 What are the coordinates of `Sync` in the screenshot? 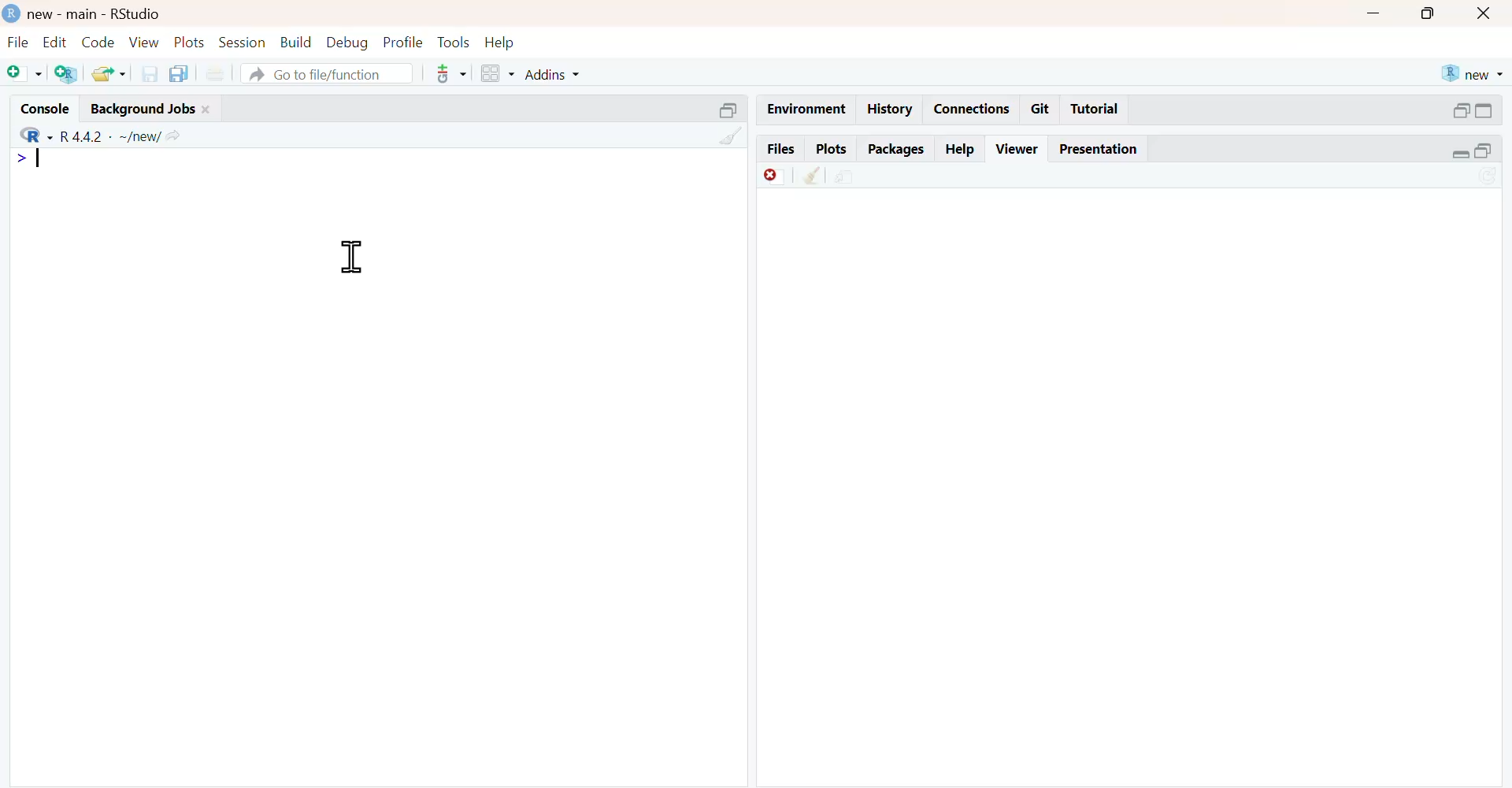 It's located at (1488, 175).